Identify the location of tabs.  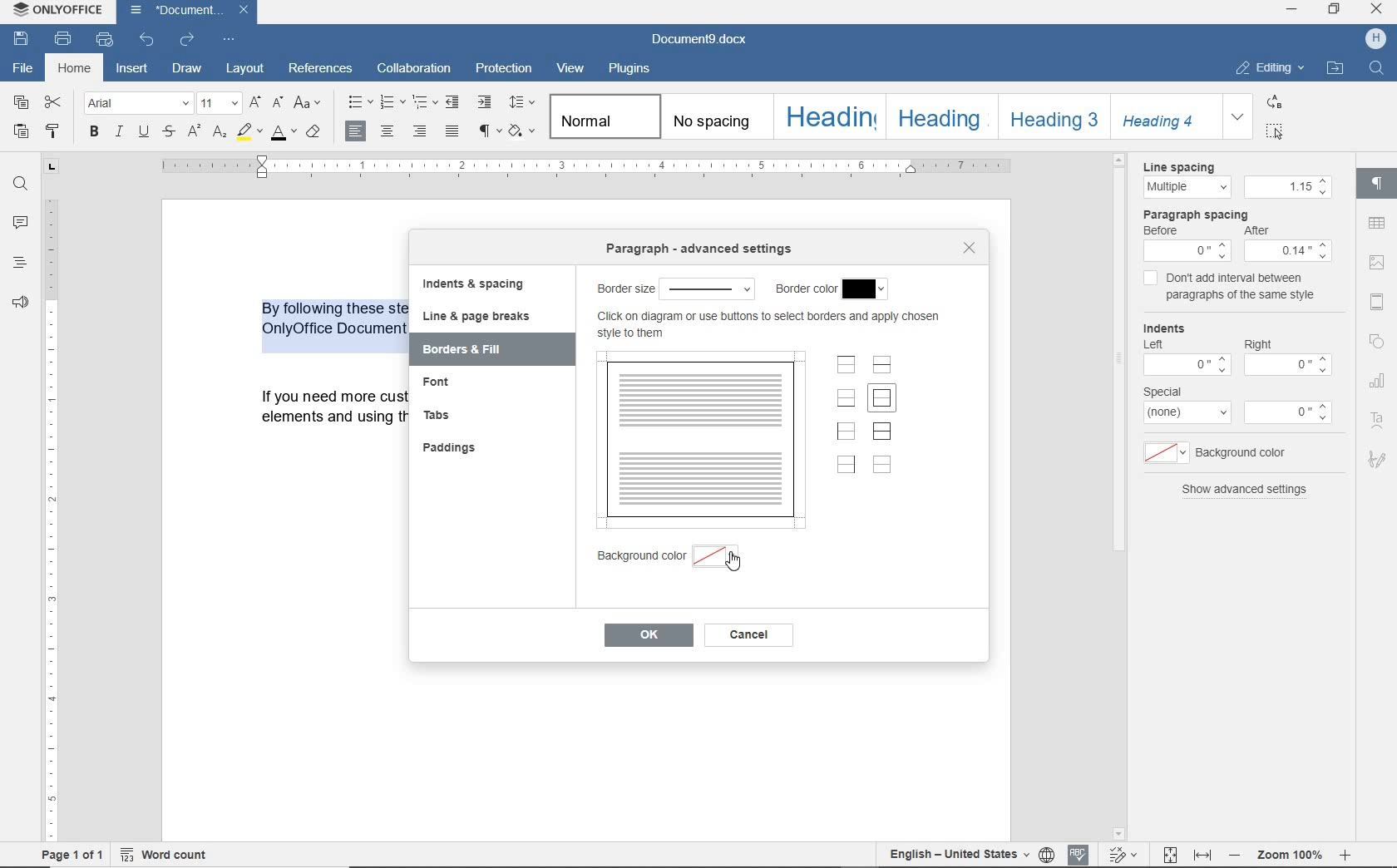
(443, 416).